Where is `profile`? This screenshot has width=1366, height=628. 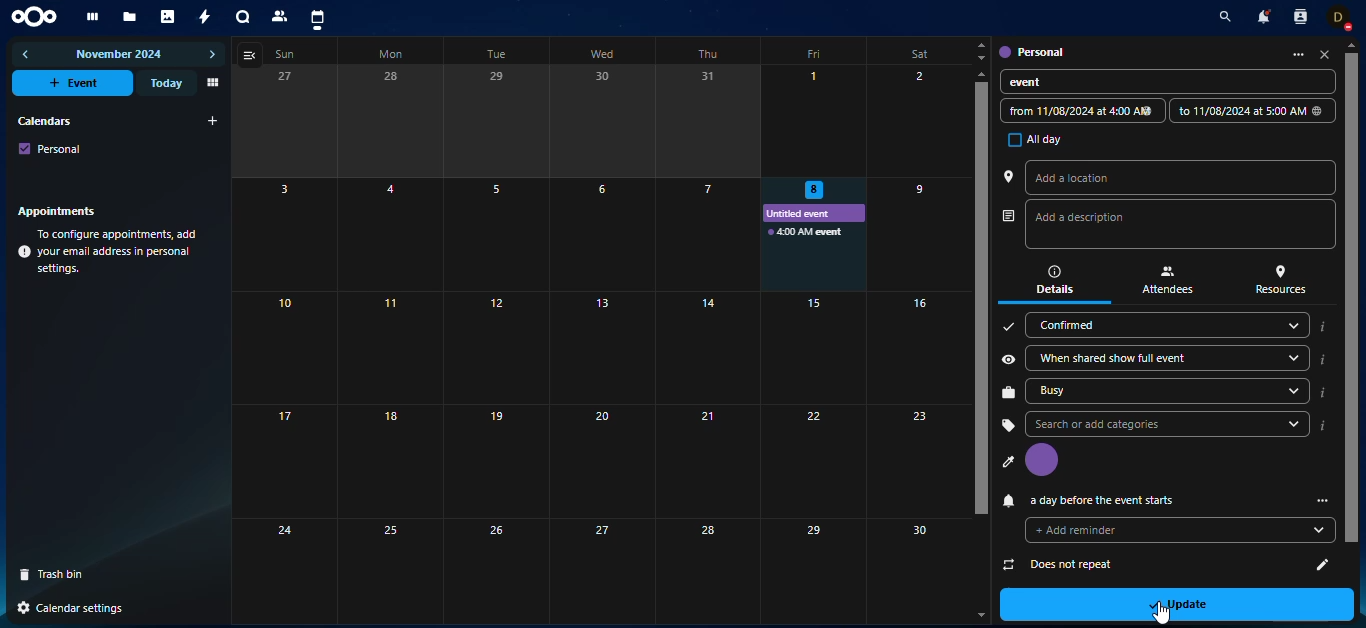
profile is located at coordinates (1042, 460).